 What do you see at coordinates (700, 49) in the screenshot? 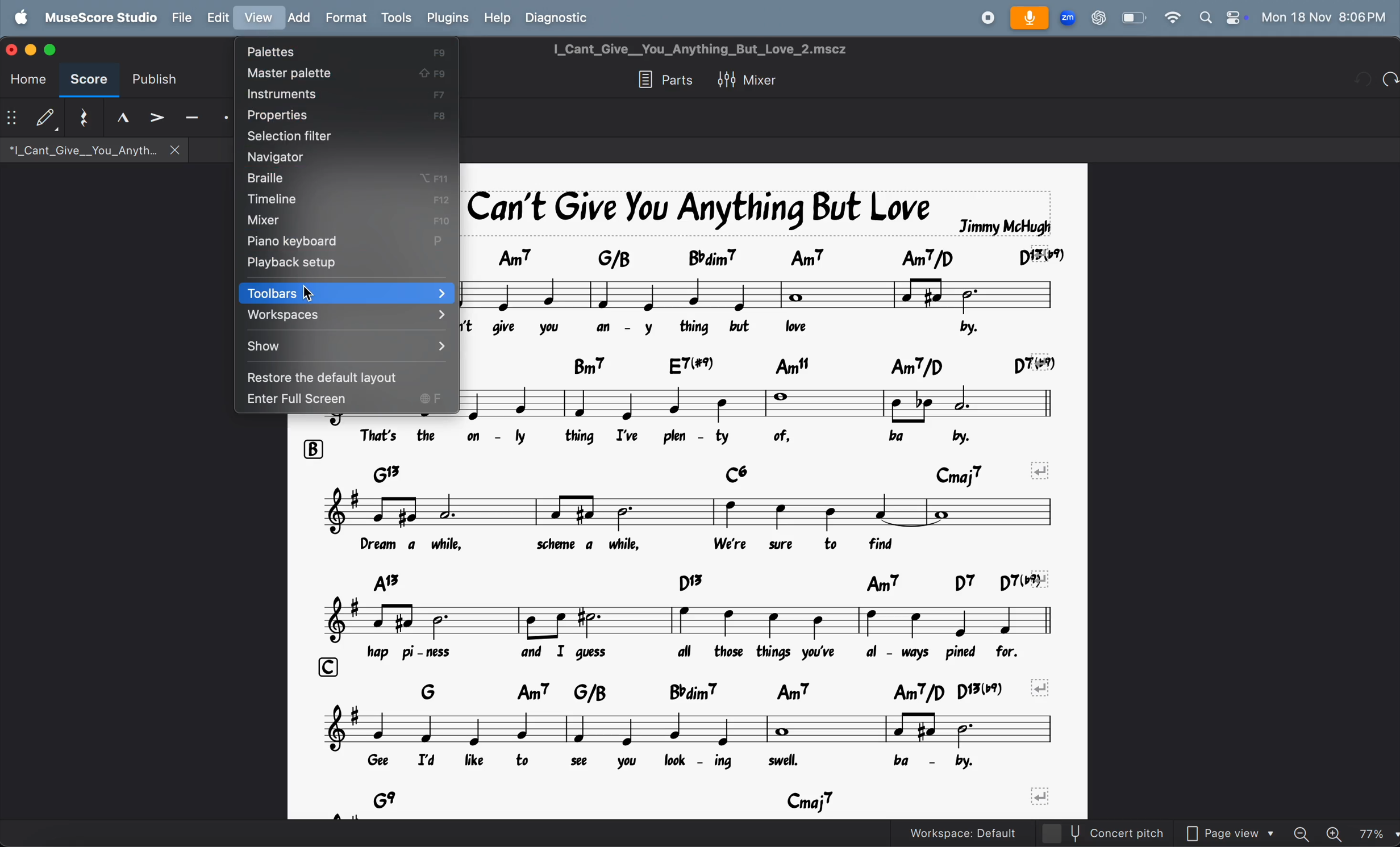
I see `I_Cant_Give__You_Anything_But_Love_2.mscz` at bounding box center [700, 49].